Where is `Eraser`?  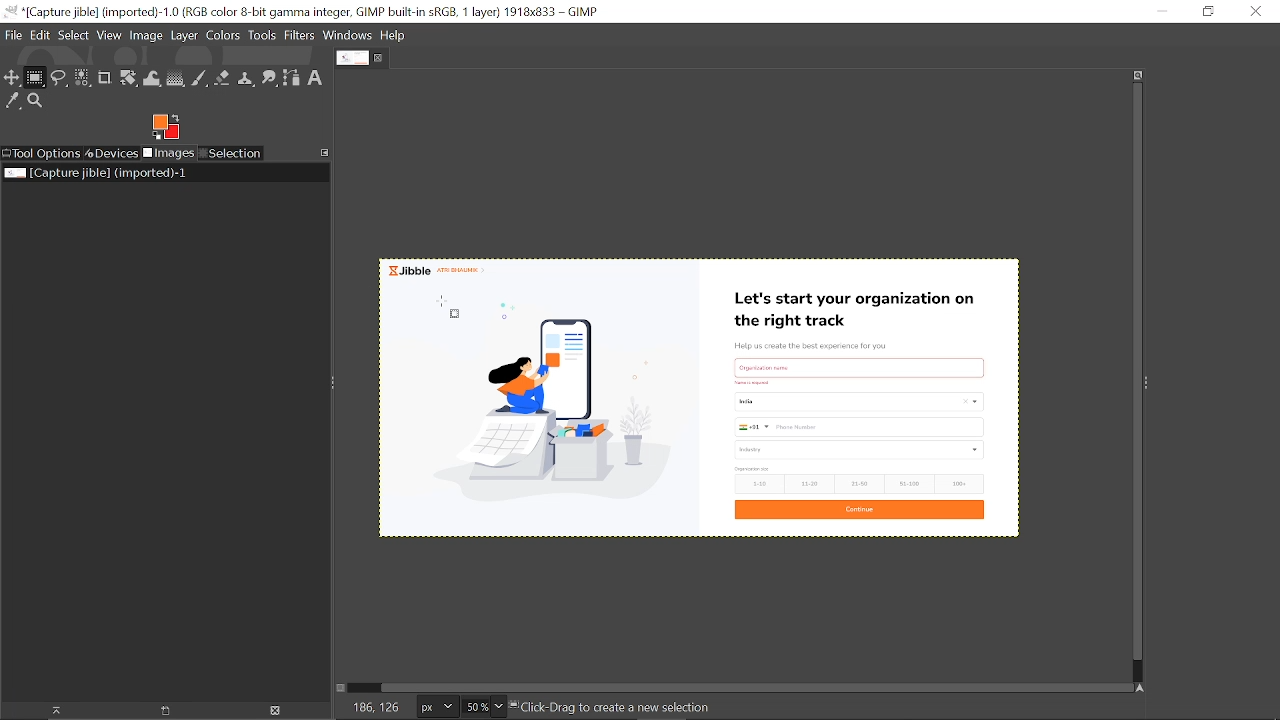
Eraser is located at coordinates (223, 79).